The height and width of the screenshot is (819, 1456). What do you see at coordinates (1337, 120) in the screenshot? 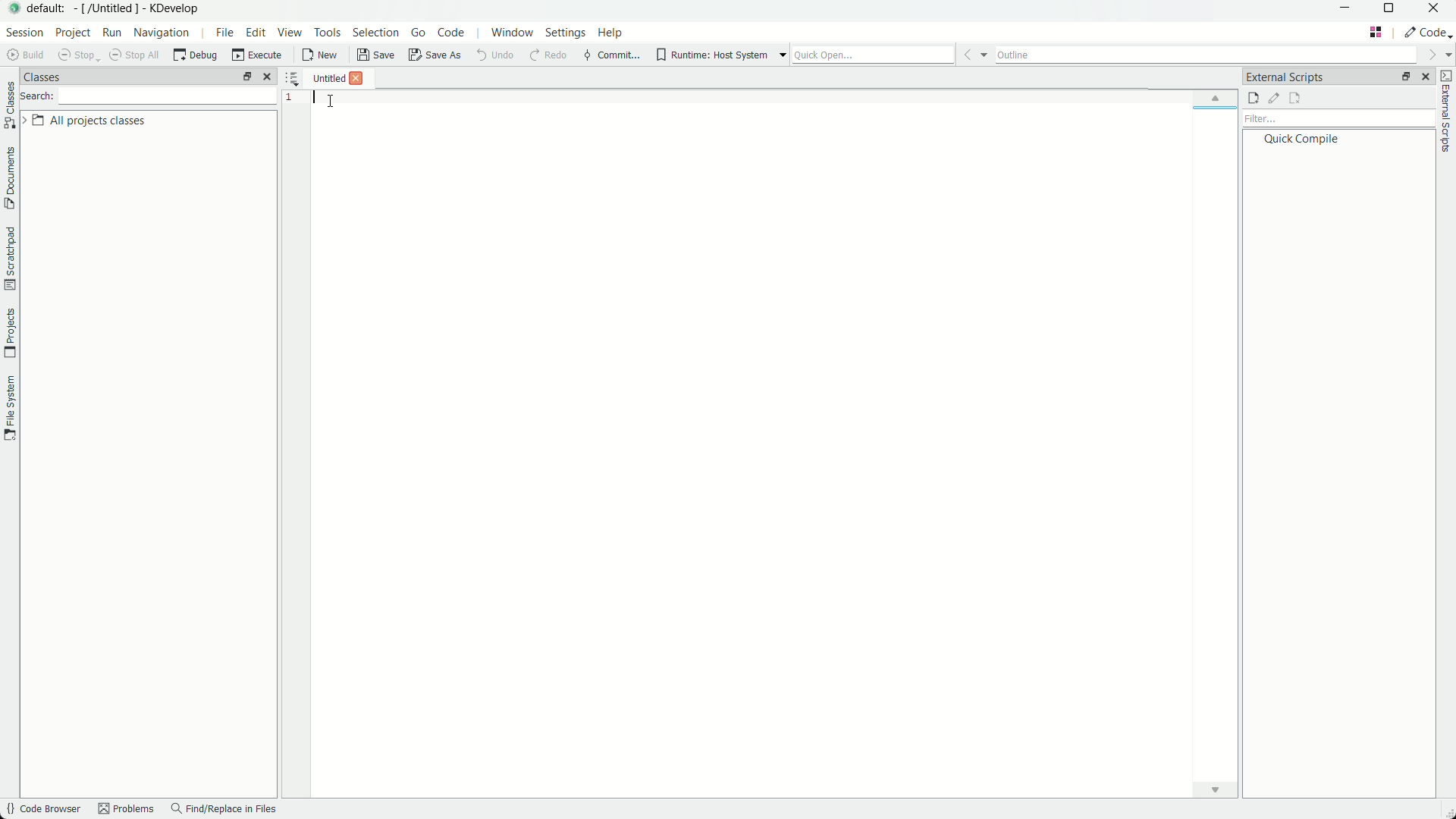
I see `filter` at bounding box center [1337, 120].